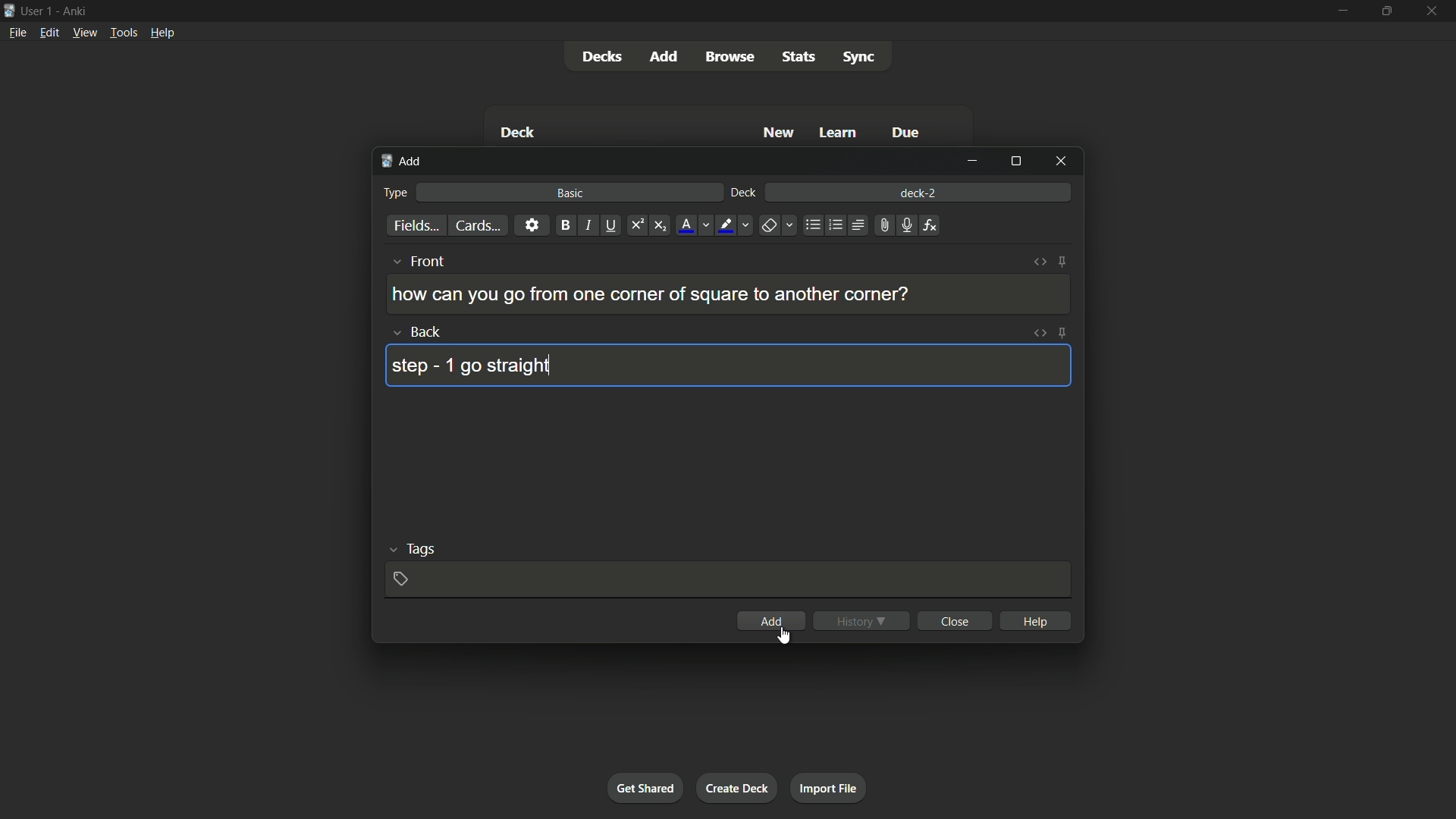  Describe the element at coordinates (1043, 260) in the screenshot. I see `toggle html editor` at that location.